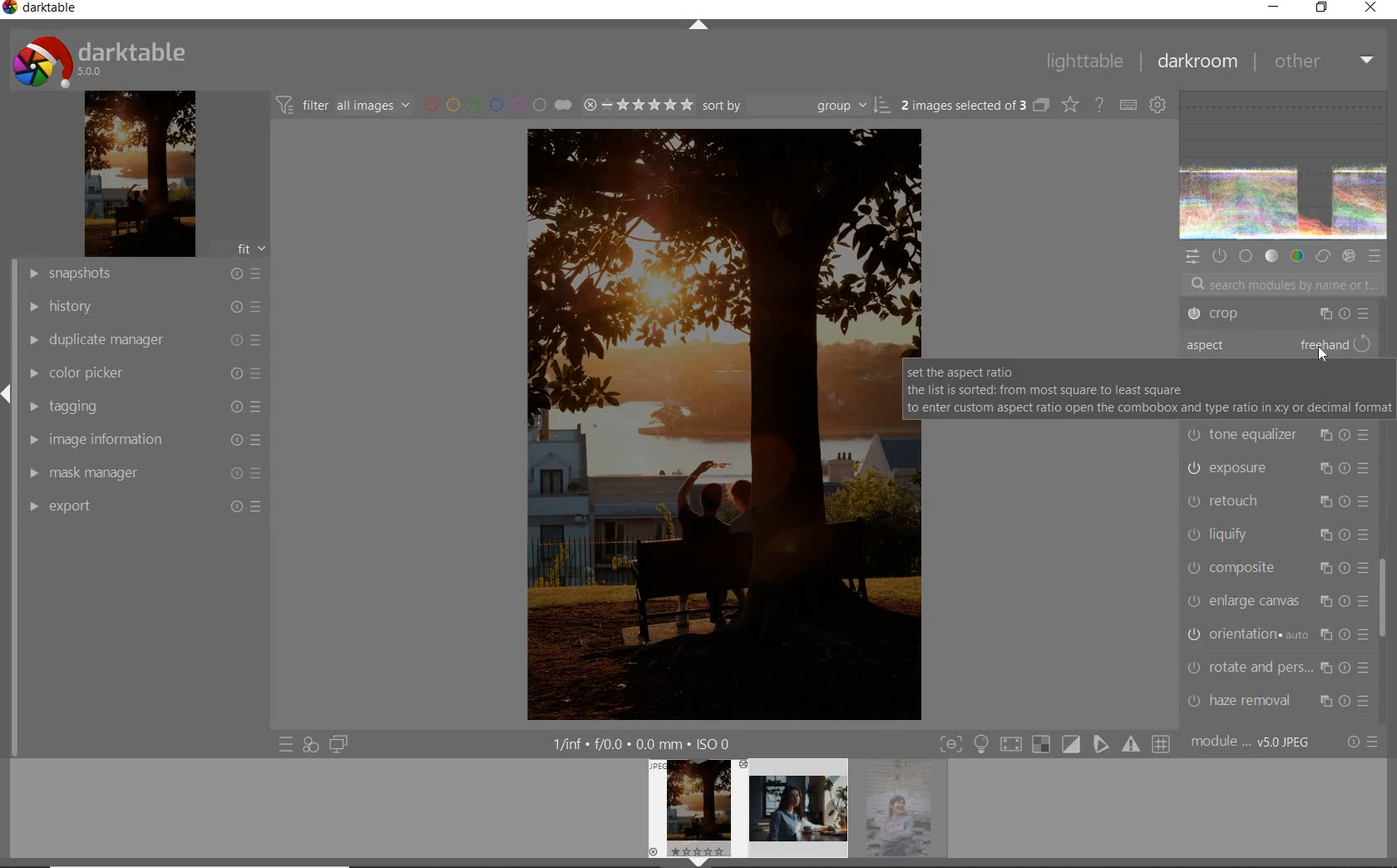 Image resolution: width=1397 pixels, height=868 pixels. Describe the element at coordinates (1272, 256) in the screenshot. I see `tone` at that location.